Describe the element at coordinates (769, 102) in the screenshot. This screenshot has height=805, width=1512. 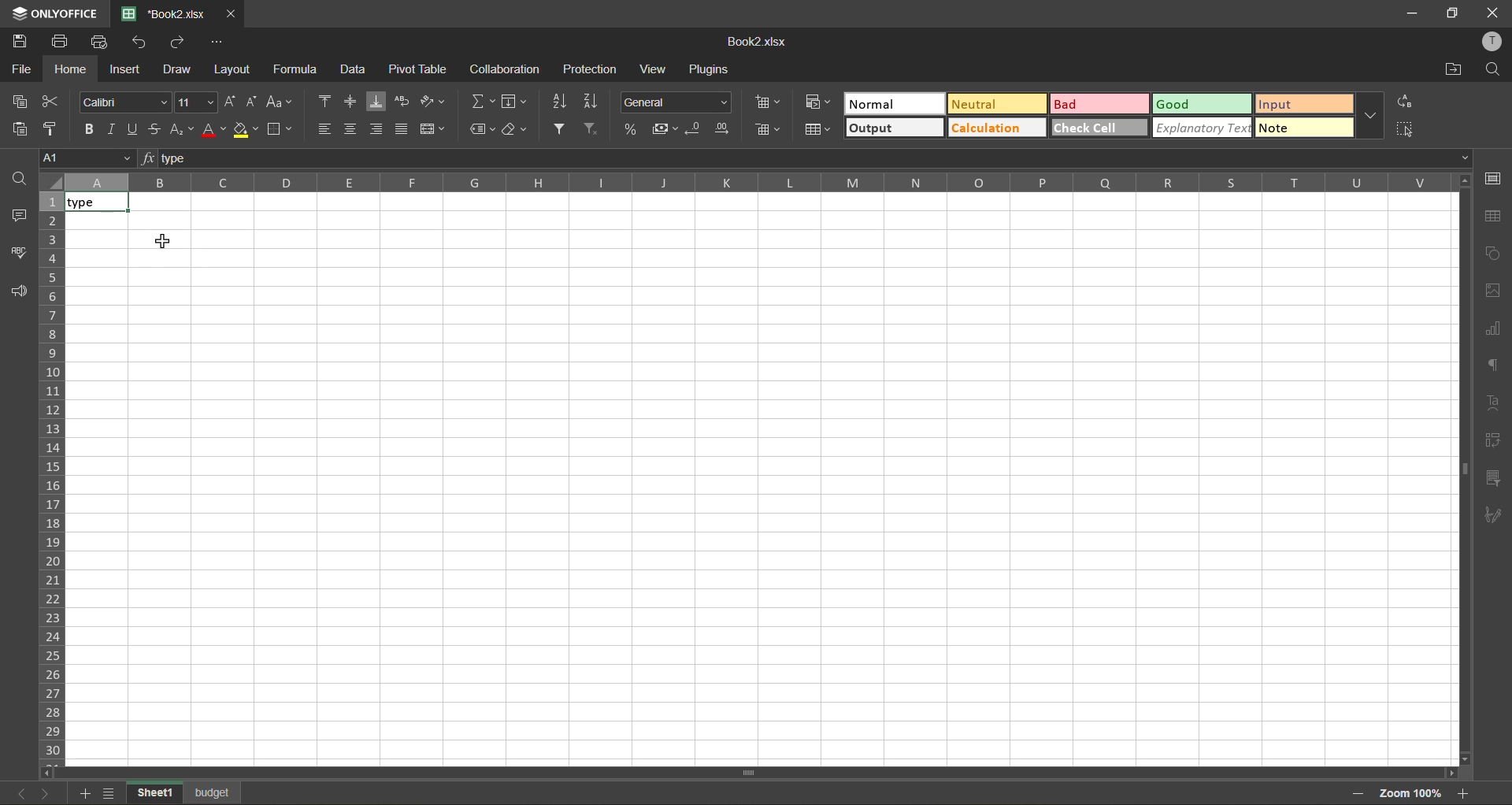
I see `insert cells` at that location.